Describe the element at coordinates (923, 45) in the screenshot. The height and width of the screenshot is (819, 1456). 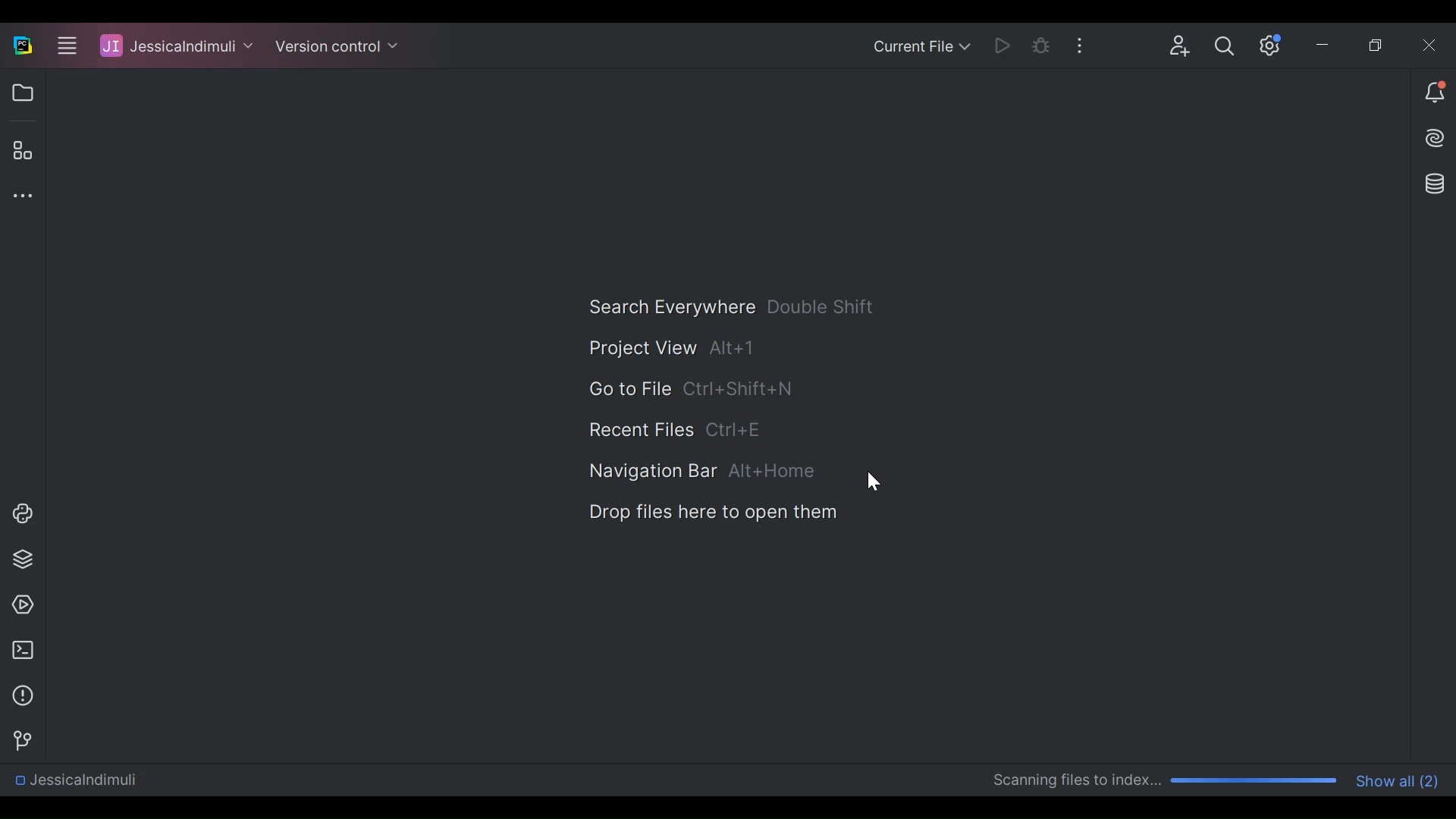
I see `Current File` at that location.